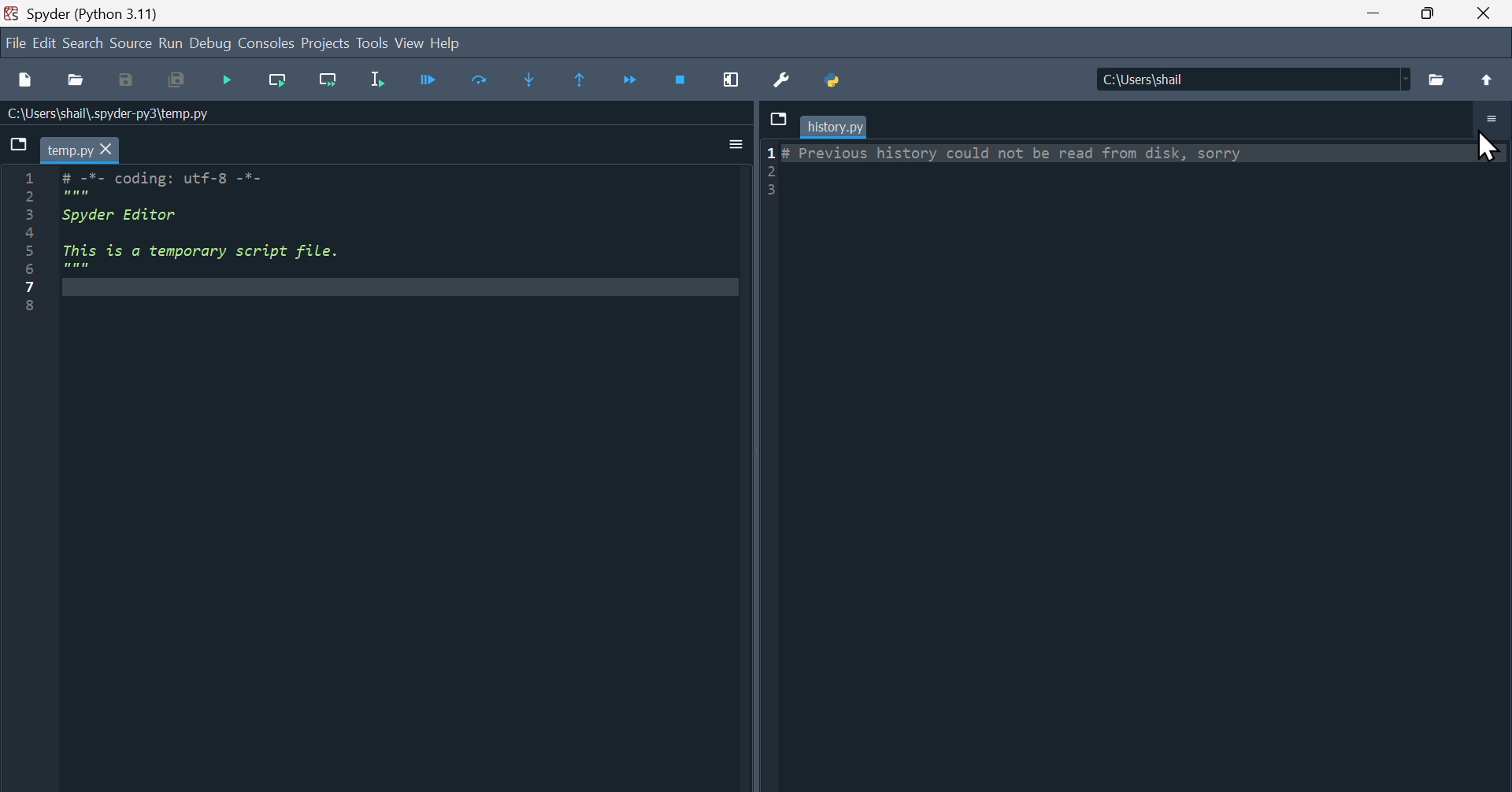 The height and width of the screenshot is (792, 1512). Describe the element at coordinates (772, 171) in the screenshot. I see `1 2 3 ` at that location.